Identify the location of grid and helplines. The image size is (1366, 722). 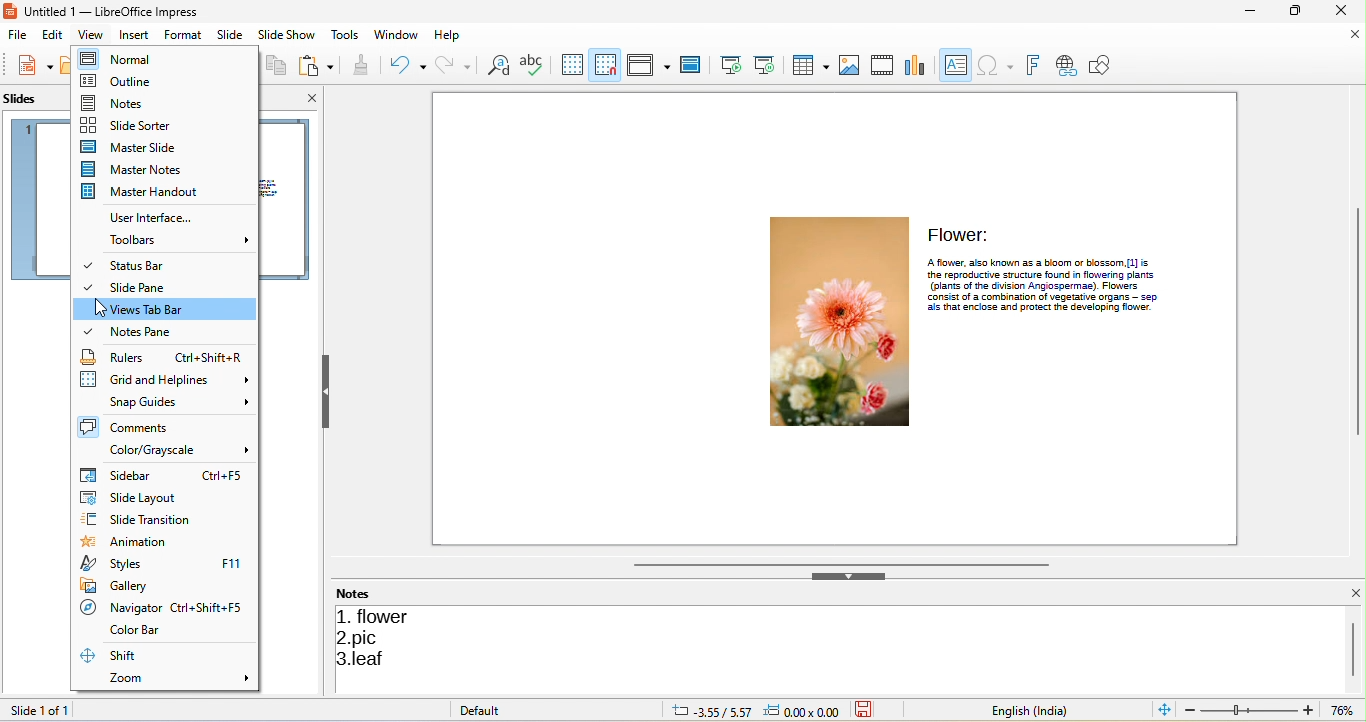
(168, 380).